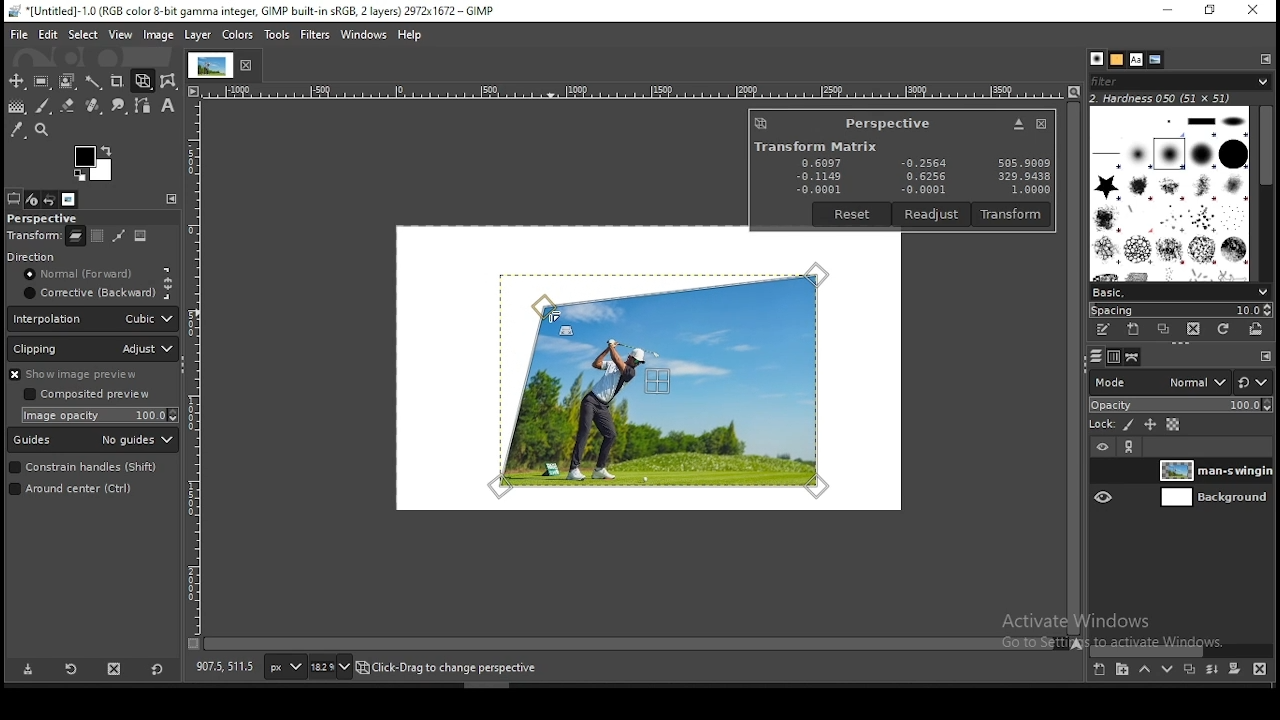 This screenshot has height=720, width=1280. Describe the element at coordinates (1119, 670) in the screenshot. I see `new layer group` at that location.